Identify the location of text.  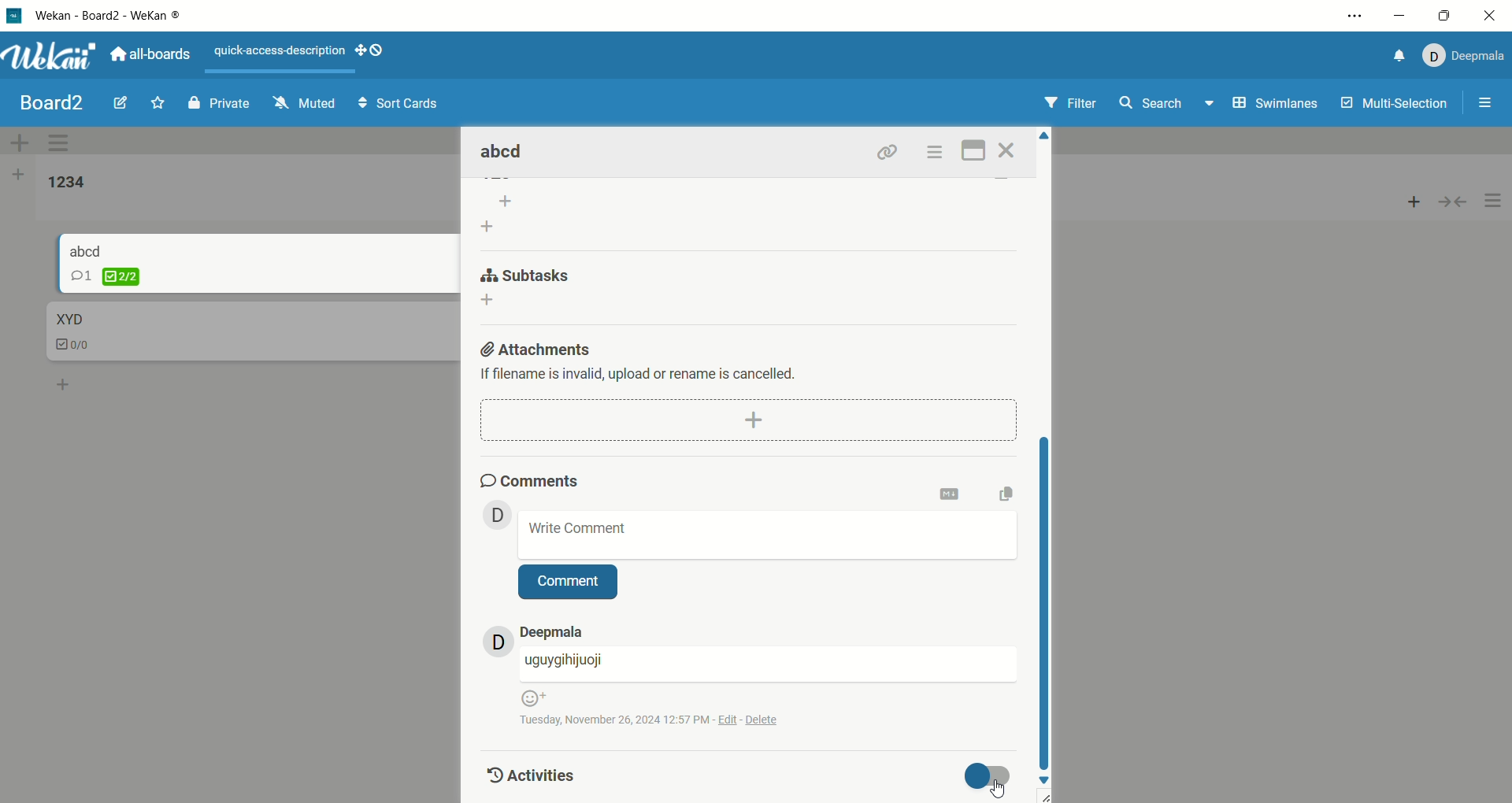
(648, 376).